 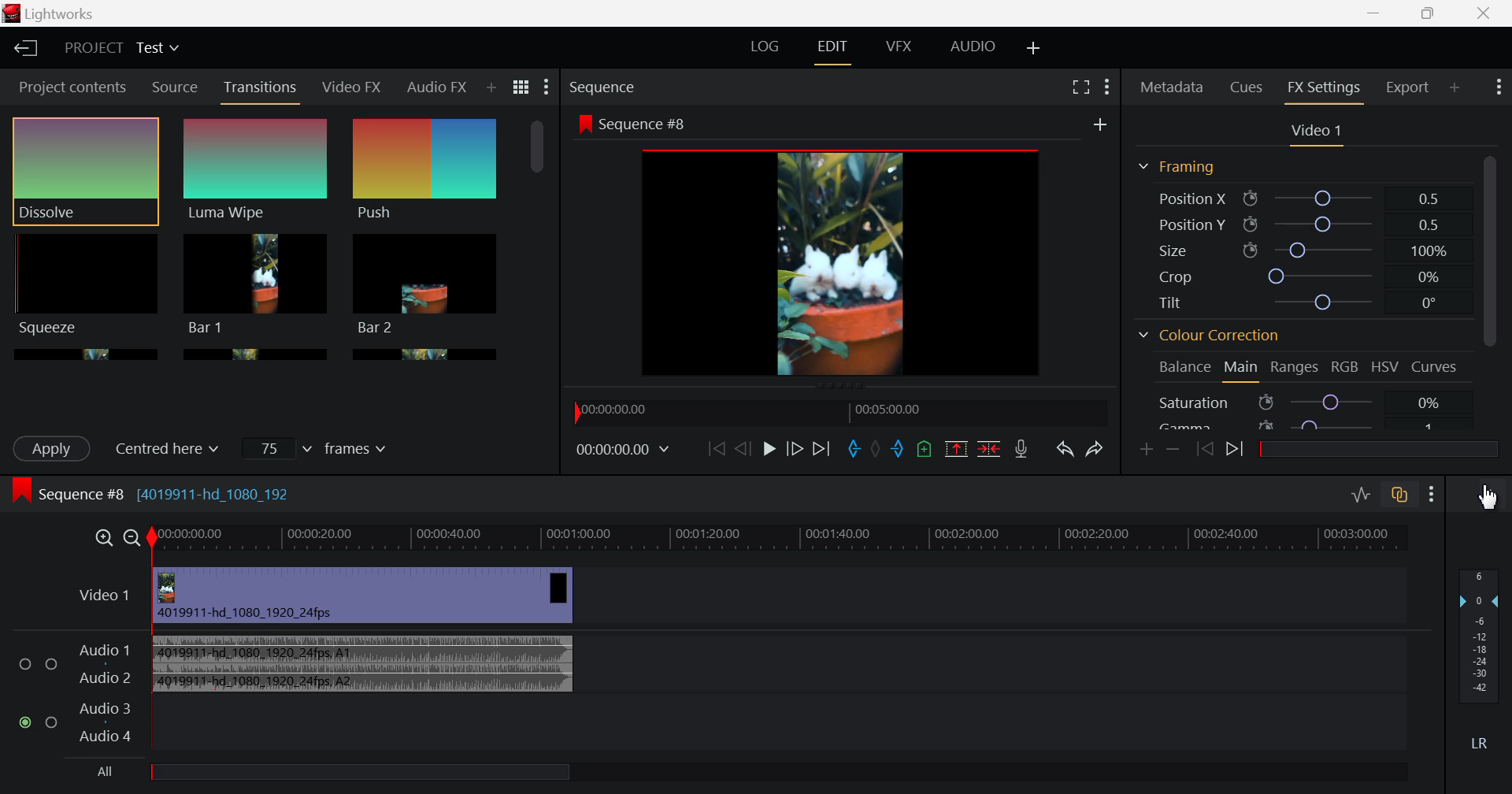 What do you see at coordinates (606, 87) in the screenshot?
I see `Sequence Preview Section` at bounding box center [606, 87].